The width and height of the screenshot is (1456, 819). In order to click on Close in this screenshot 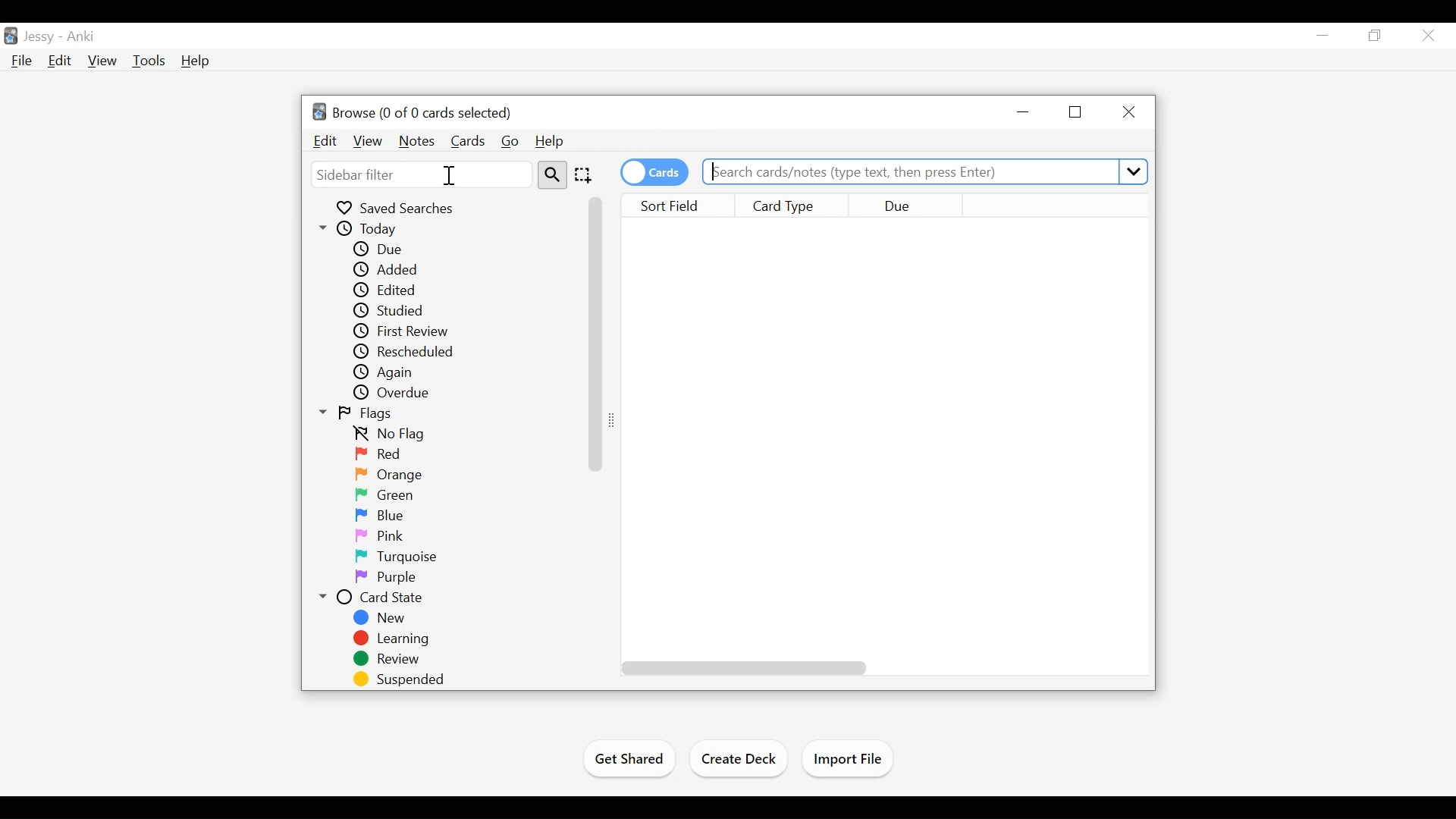, I will do `click(1430, 36)`.